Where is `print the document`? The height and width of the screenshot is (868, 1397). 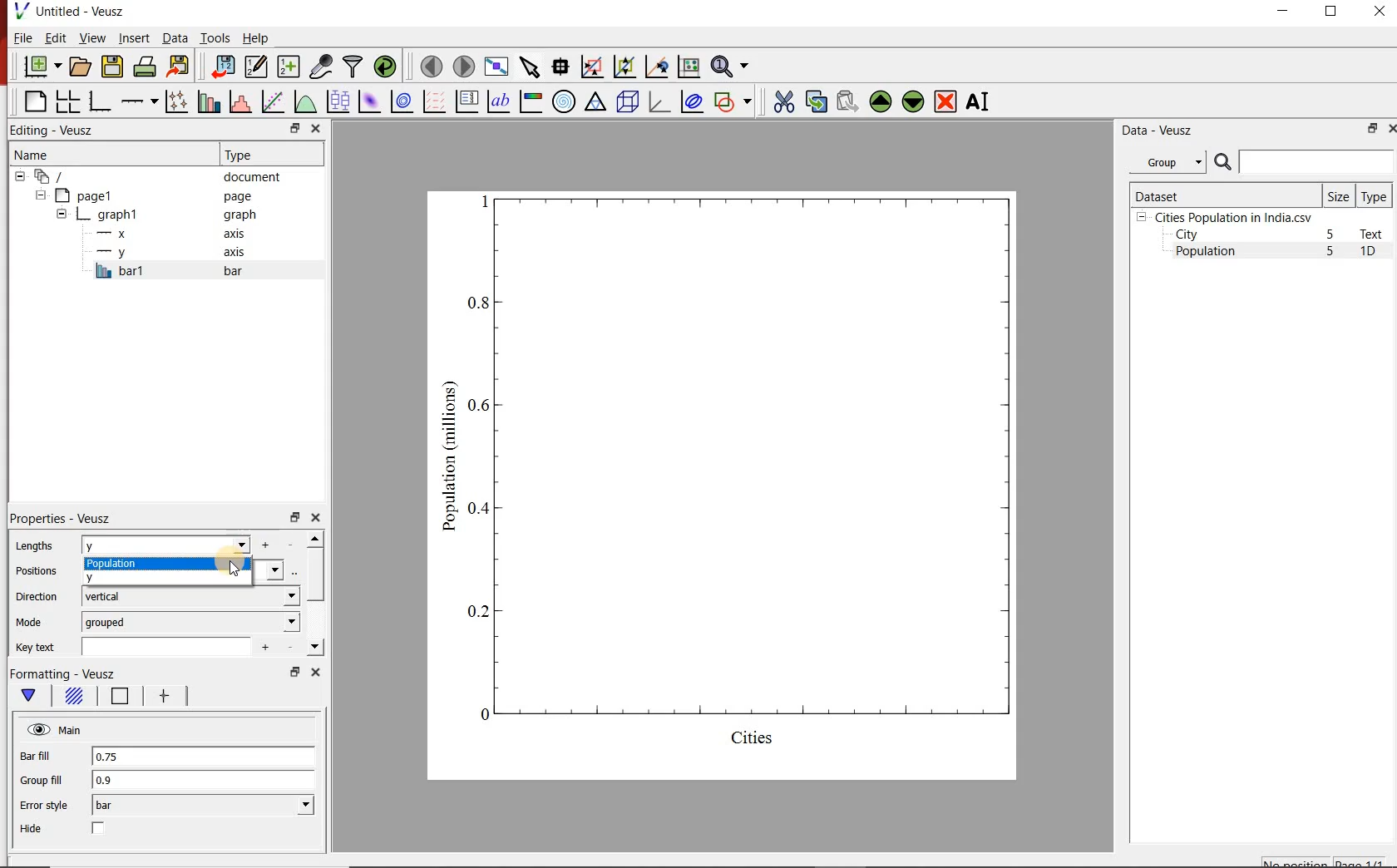 print the document is located at coordinates (144, 67).